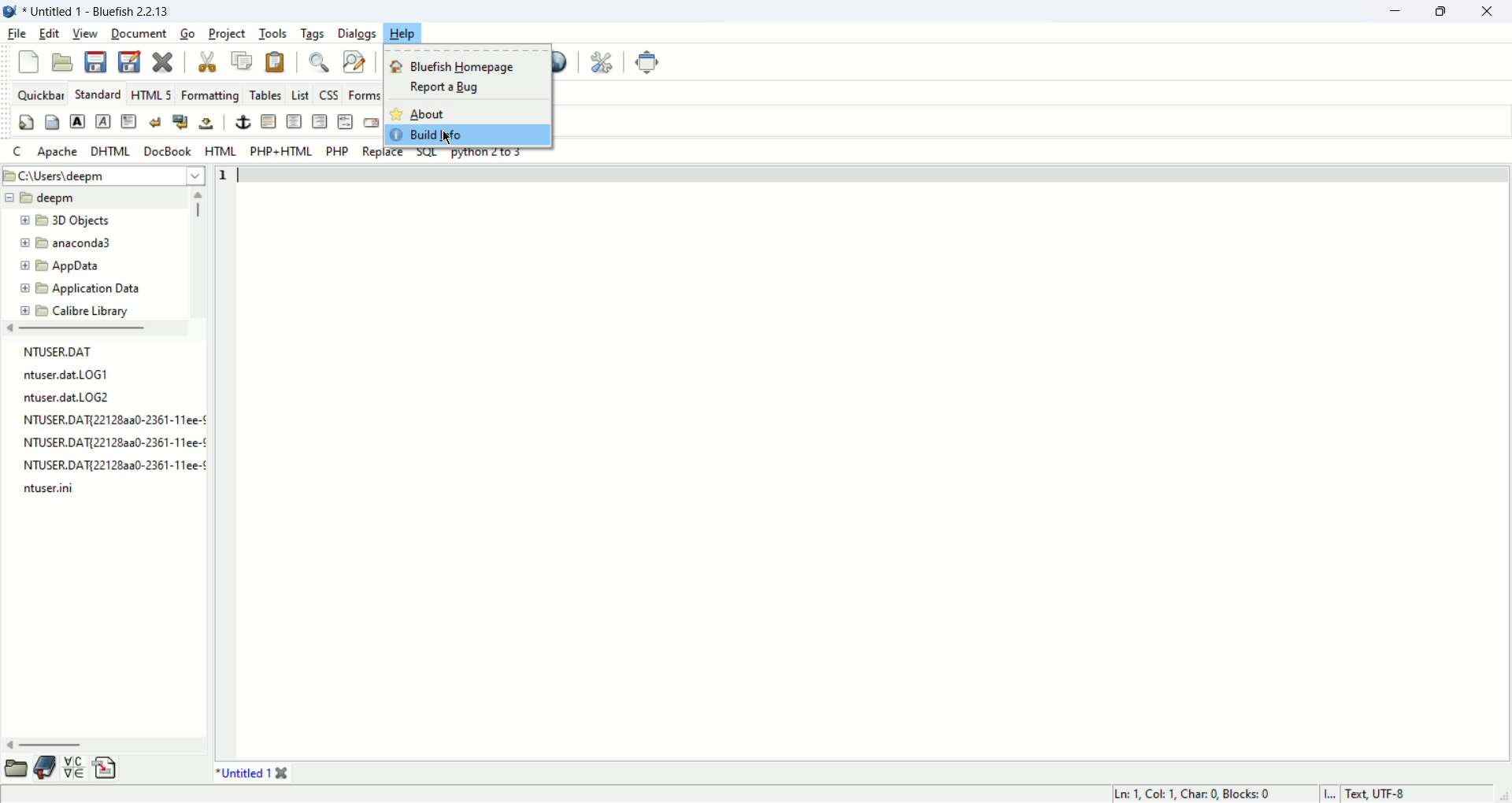 The image size is (1512, 803). I want to click on tables, so click(263, 95).